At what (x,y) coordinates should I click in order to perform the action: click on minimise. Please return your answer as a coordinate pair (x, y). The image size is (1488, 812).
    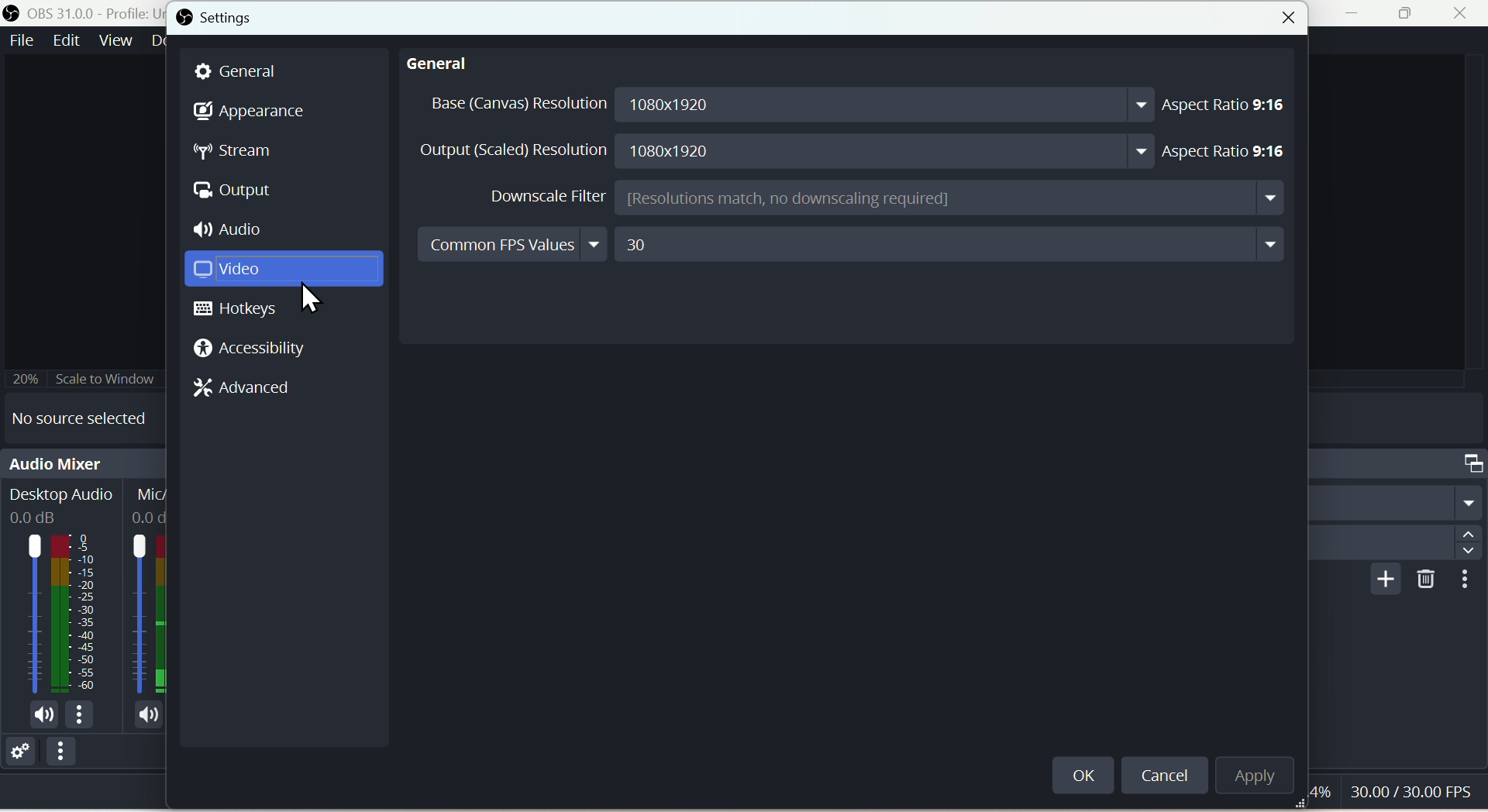
    Looking at the image, I should click on (1357, 15).